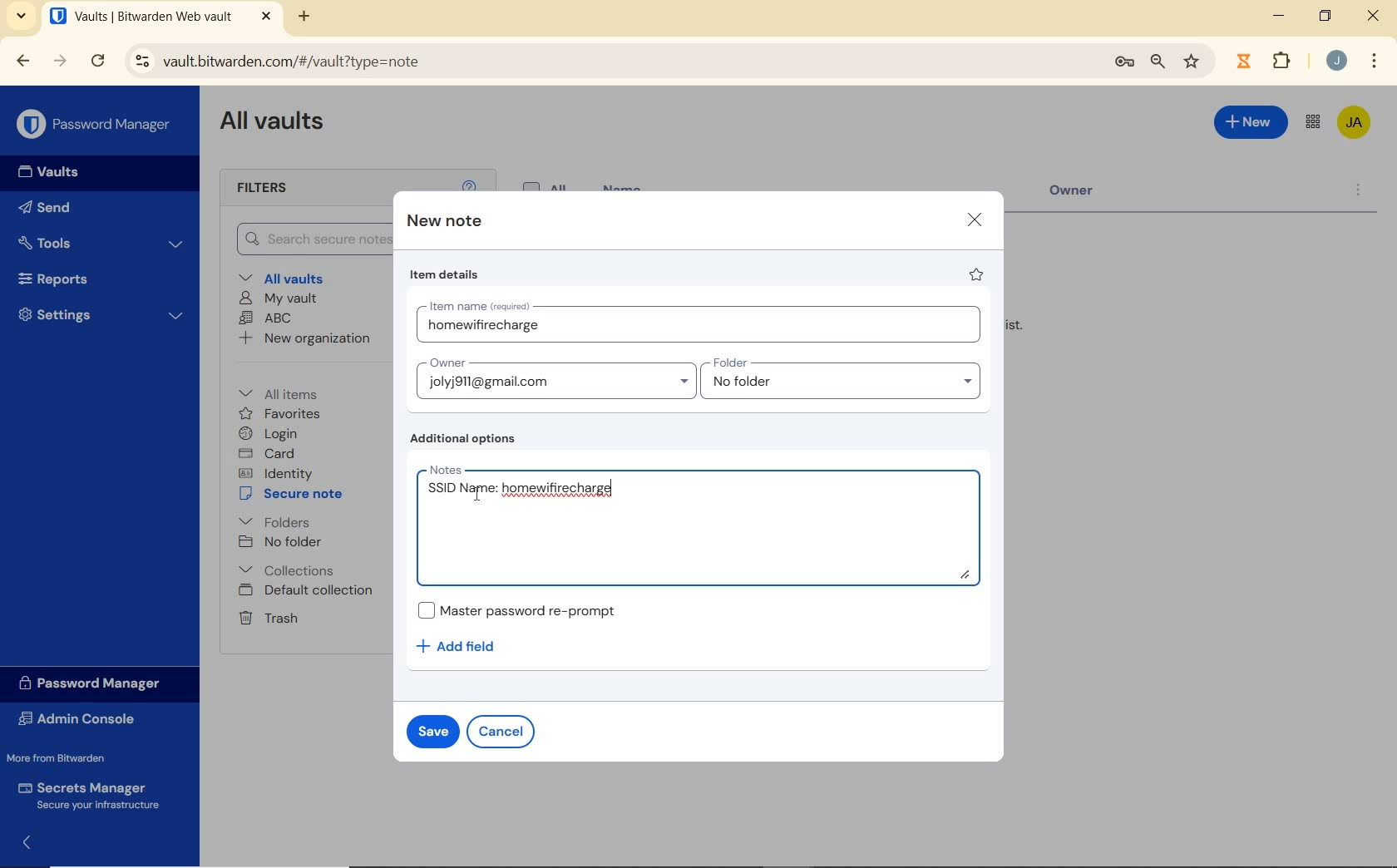 The width and height of the screenshot is (1397, 868). What do you see at coordinates (294, 494) in the screenshot?
I see `secure note` at bounding box center [294, 494].